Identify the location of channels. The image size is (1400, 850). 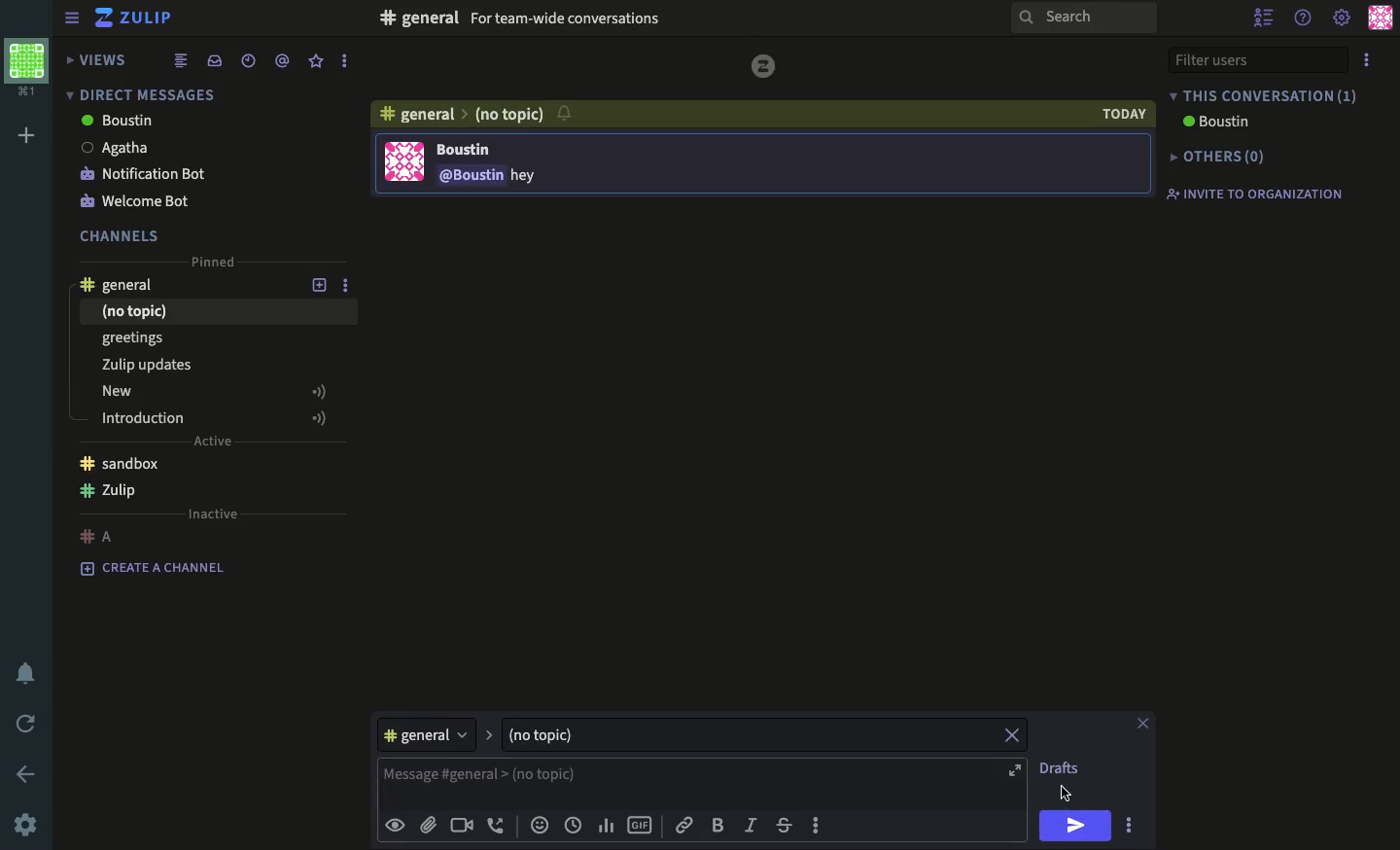
(122, 234).